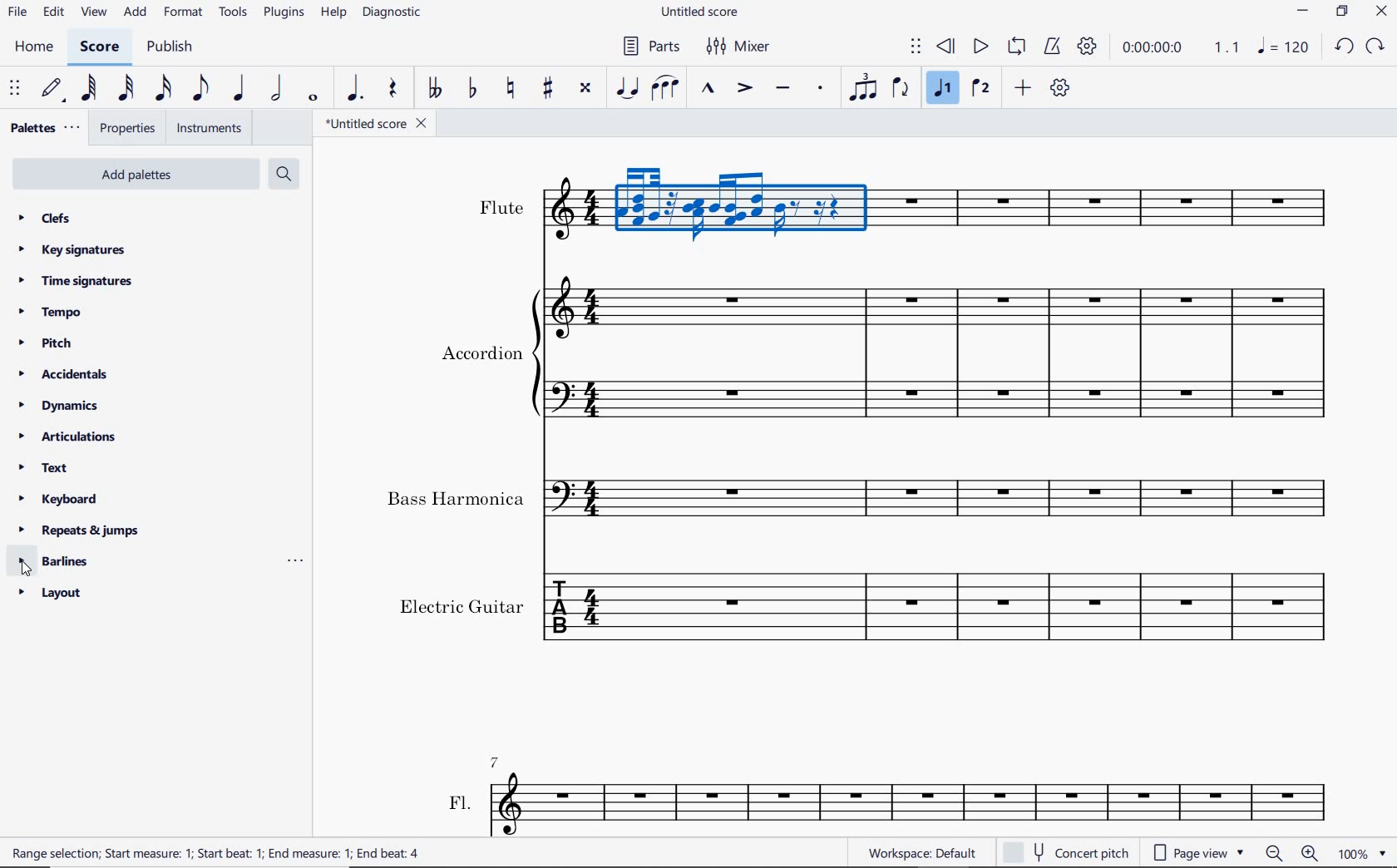 The width and height of the screenshot is (1397, 868). I want to click on tenuto, so click(782, 88).